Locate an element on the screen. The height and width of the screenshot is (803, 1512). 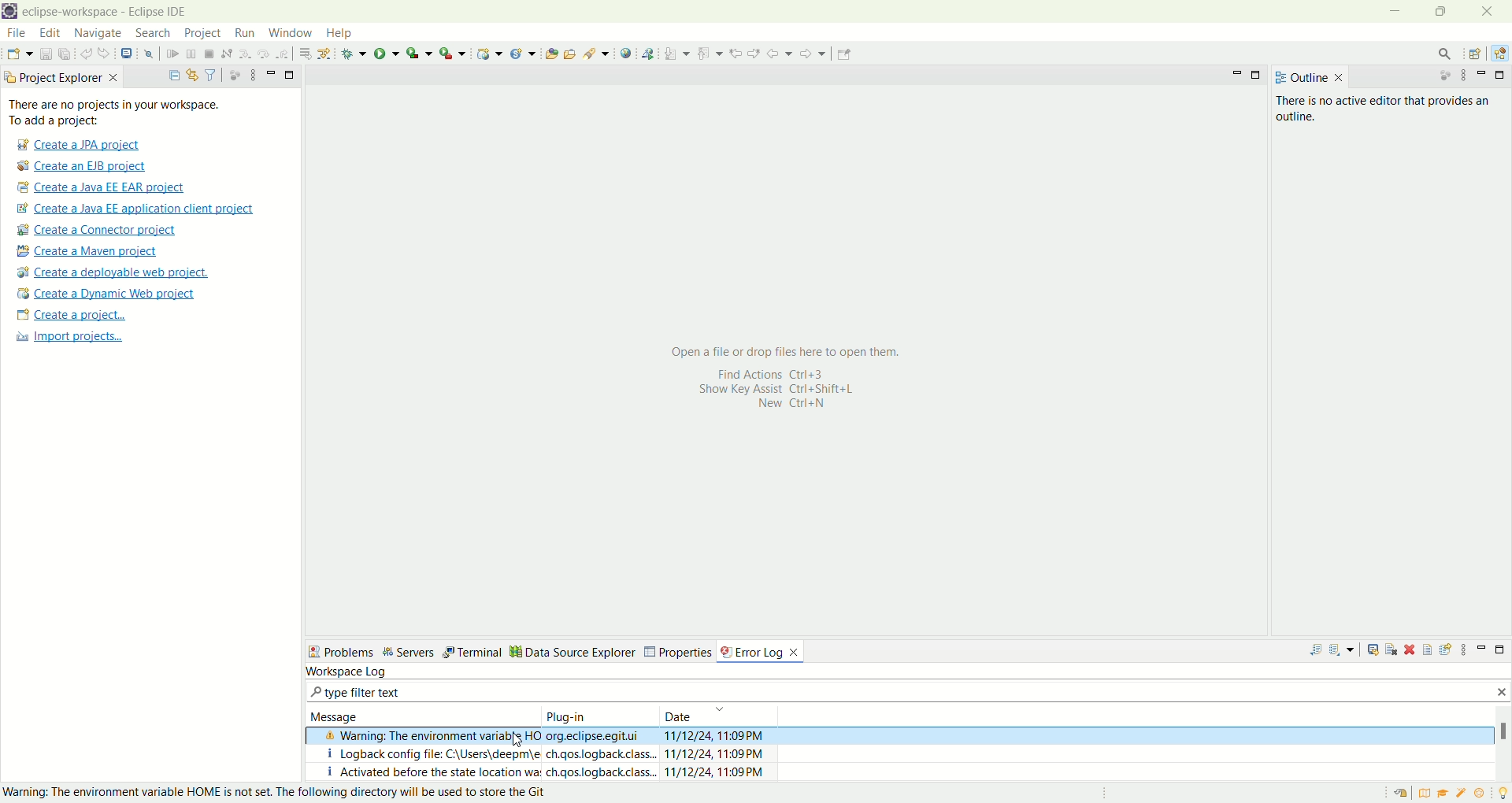
disconnect is located at coordinates (225, 53).